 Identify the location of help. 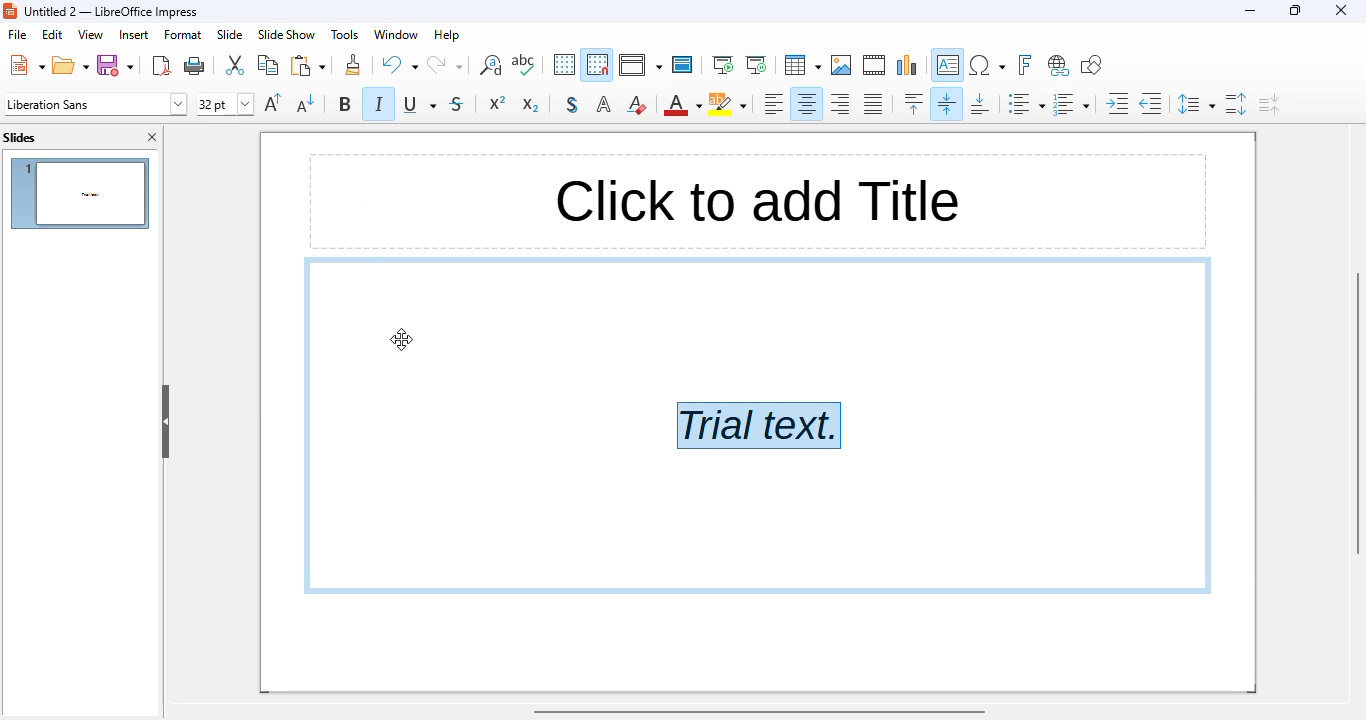
(447, 35).